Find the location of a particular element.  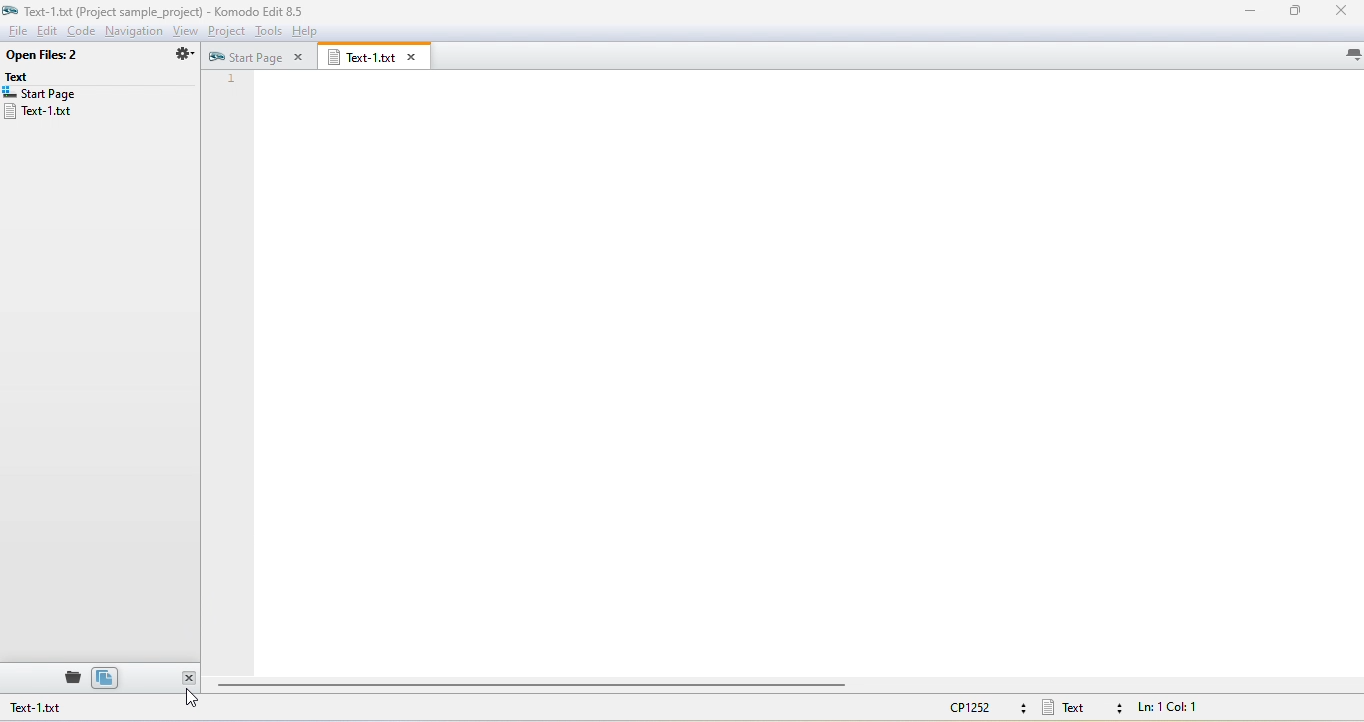

CP1252 is located at coordinates (984, 706).